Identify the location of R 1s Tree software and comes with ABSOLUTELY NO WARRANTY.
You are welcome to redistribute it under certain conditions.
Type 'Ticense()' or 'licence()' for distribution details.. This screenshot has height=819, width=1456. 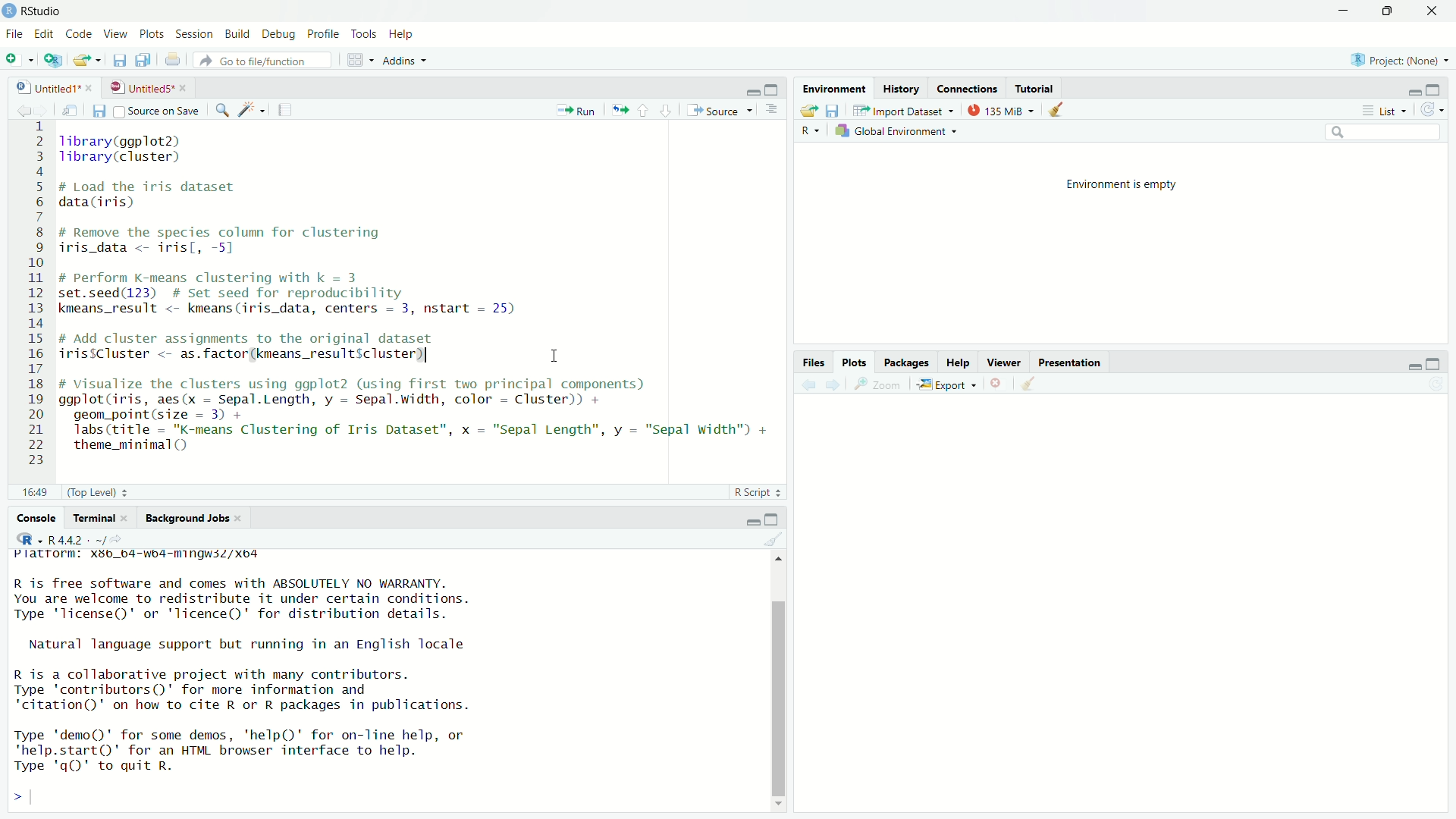
(328, 598).